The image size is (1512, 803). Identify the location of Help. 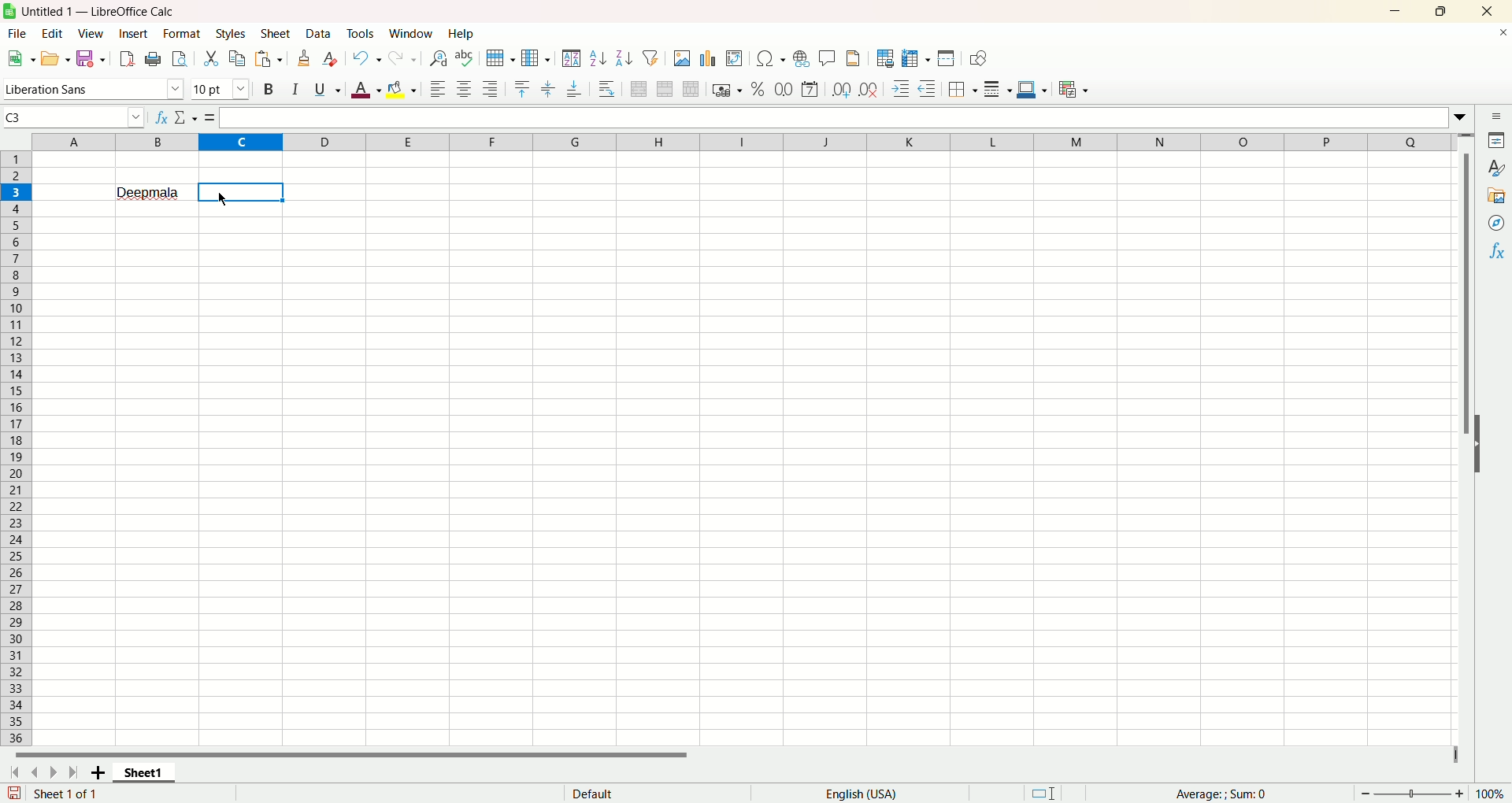
(464, 33).